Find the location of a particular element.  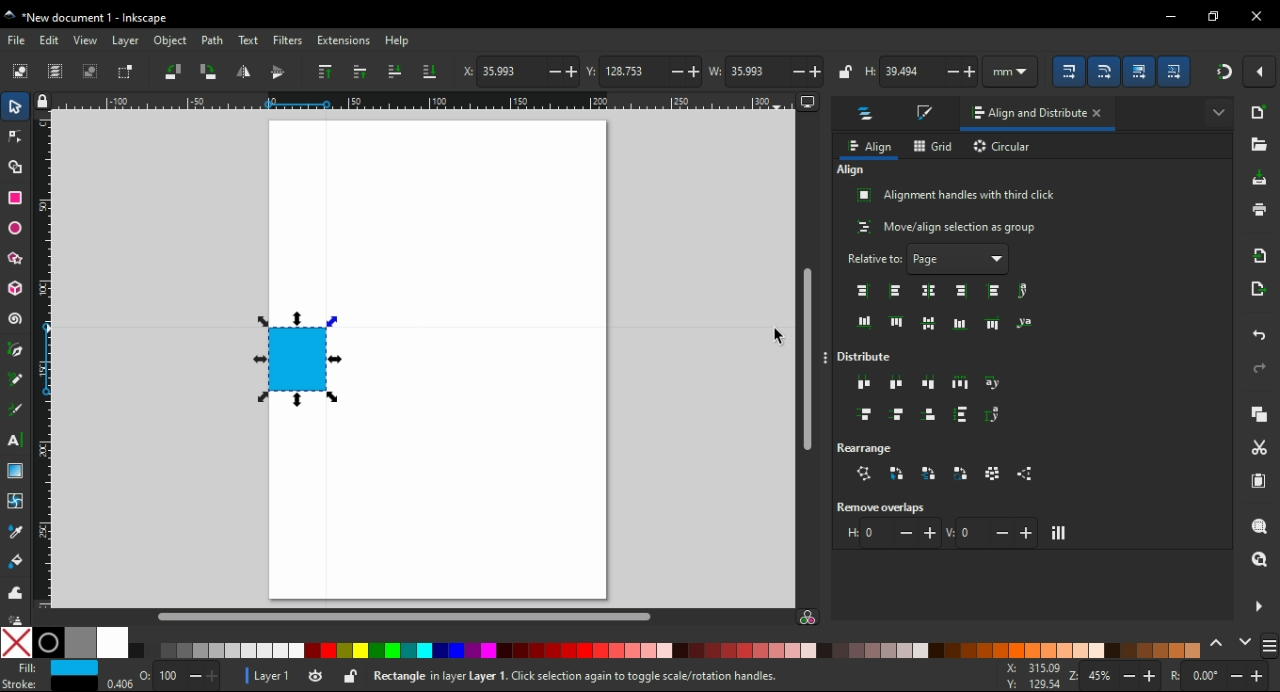

distribute vertically with even spacing between centers is located at coordinates (897, 414).